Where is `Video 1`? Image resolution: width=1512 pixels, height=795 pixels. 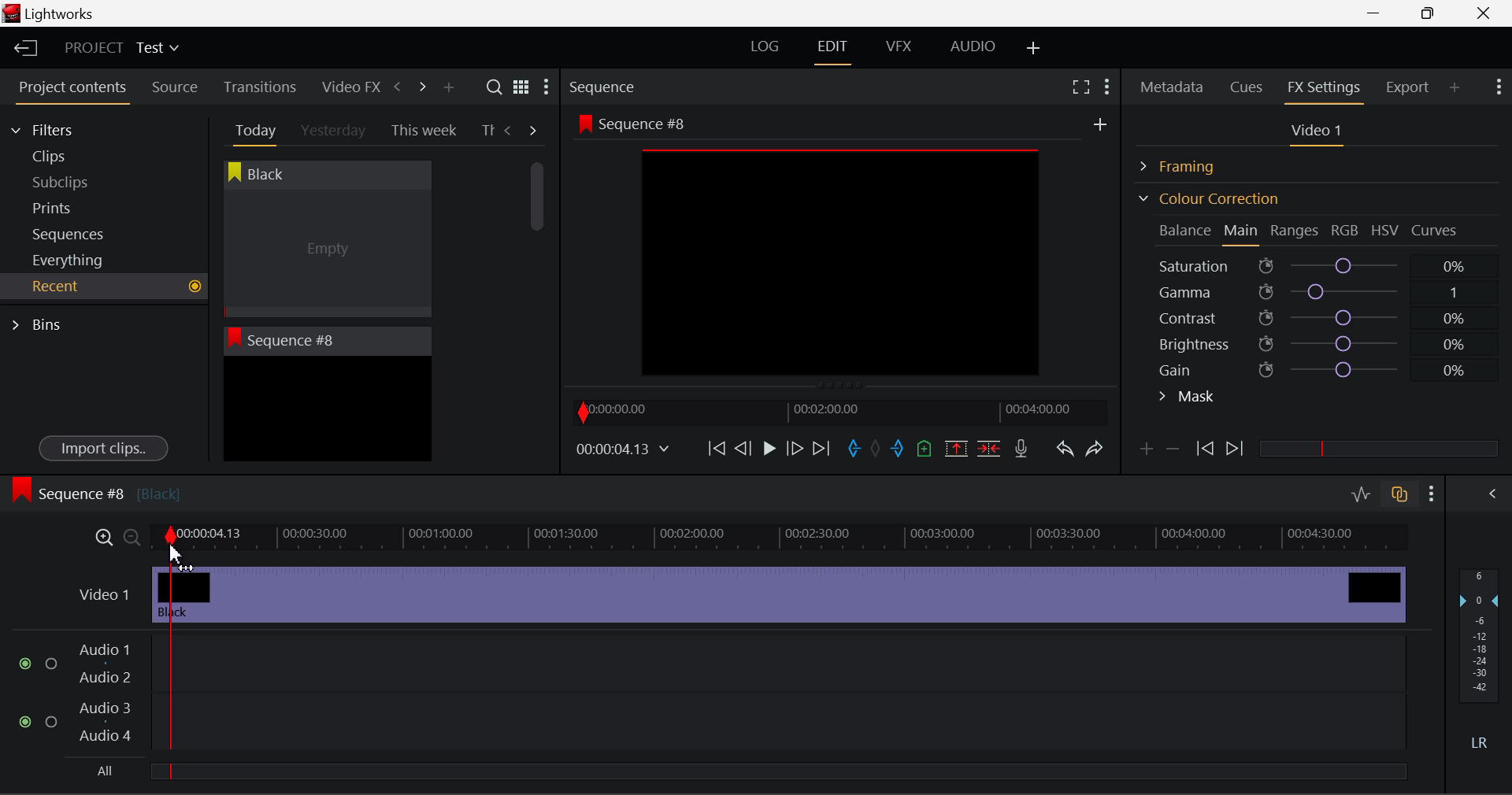 Video 1 is located at coordinates (102, 593).